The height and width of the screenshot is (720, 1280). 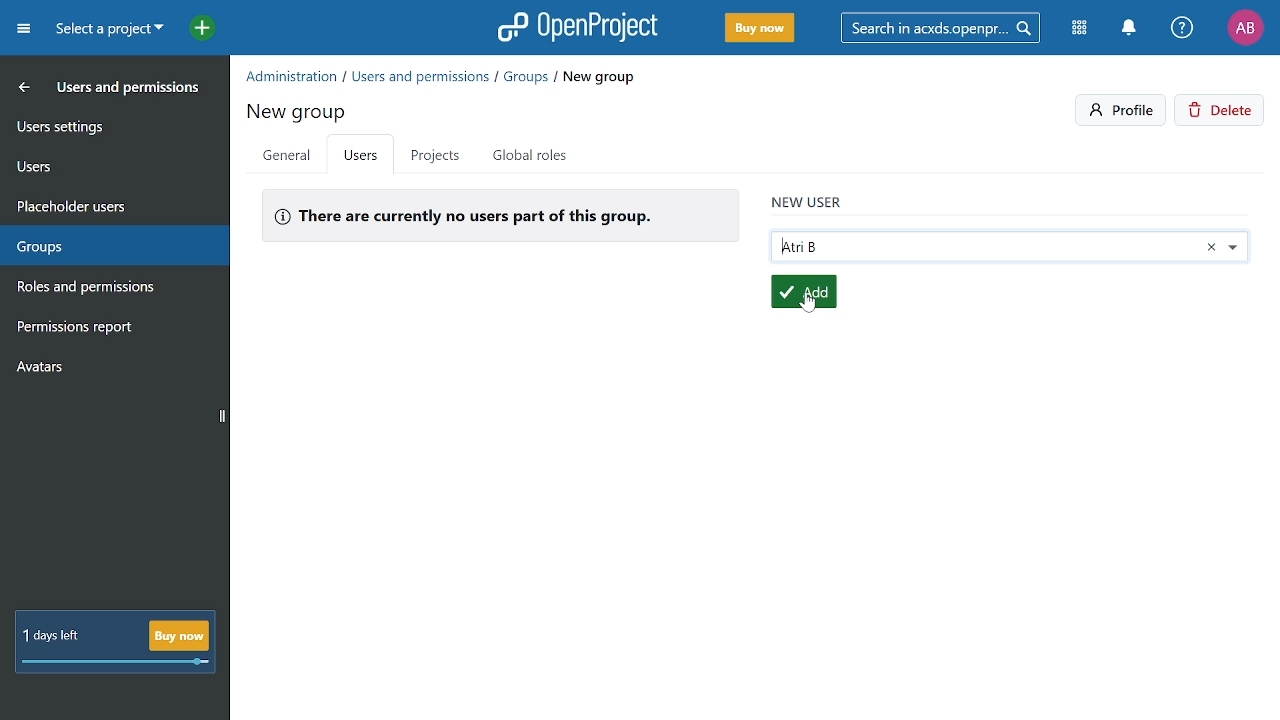 I want to click on Users, so click(x=362, y=157).